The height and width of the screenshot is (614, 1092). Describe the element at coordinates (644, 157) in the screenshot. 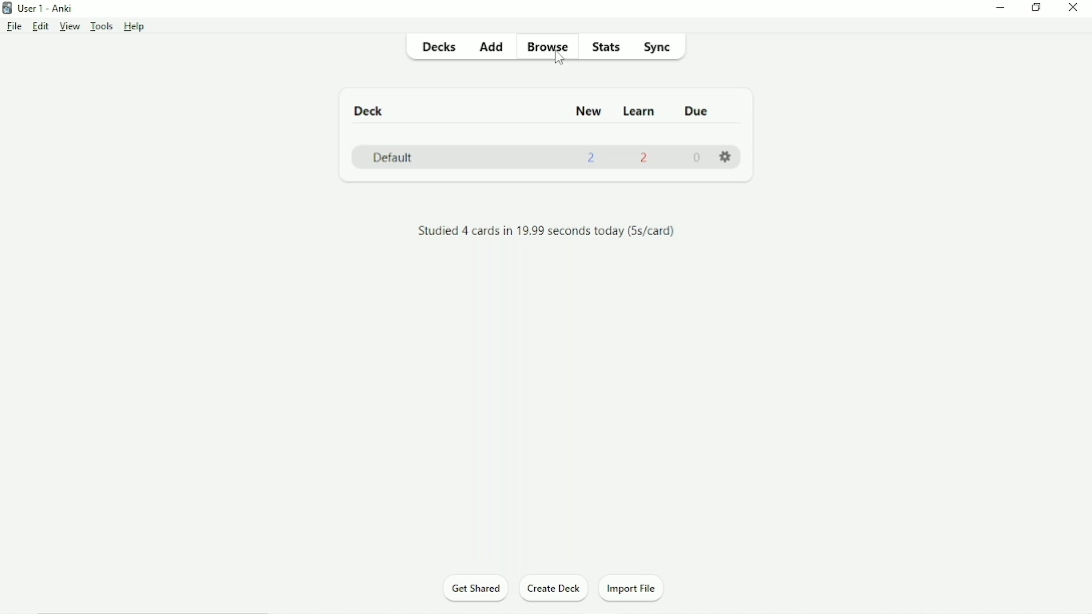

I see `2` at that location.